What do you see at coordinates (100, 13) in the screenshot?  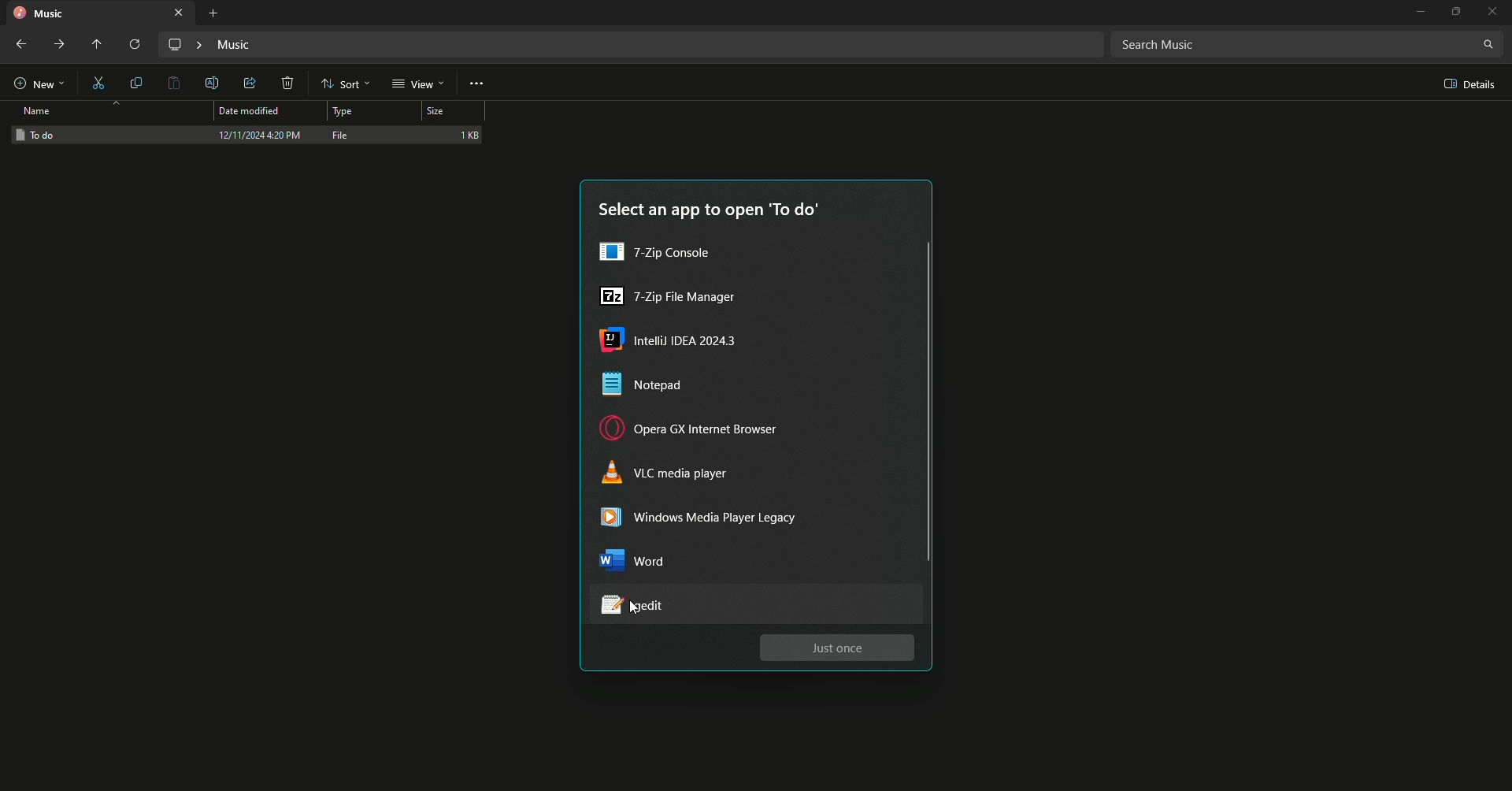 I see `Music tab` at bounding box center [100, 13].